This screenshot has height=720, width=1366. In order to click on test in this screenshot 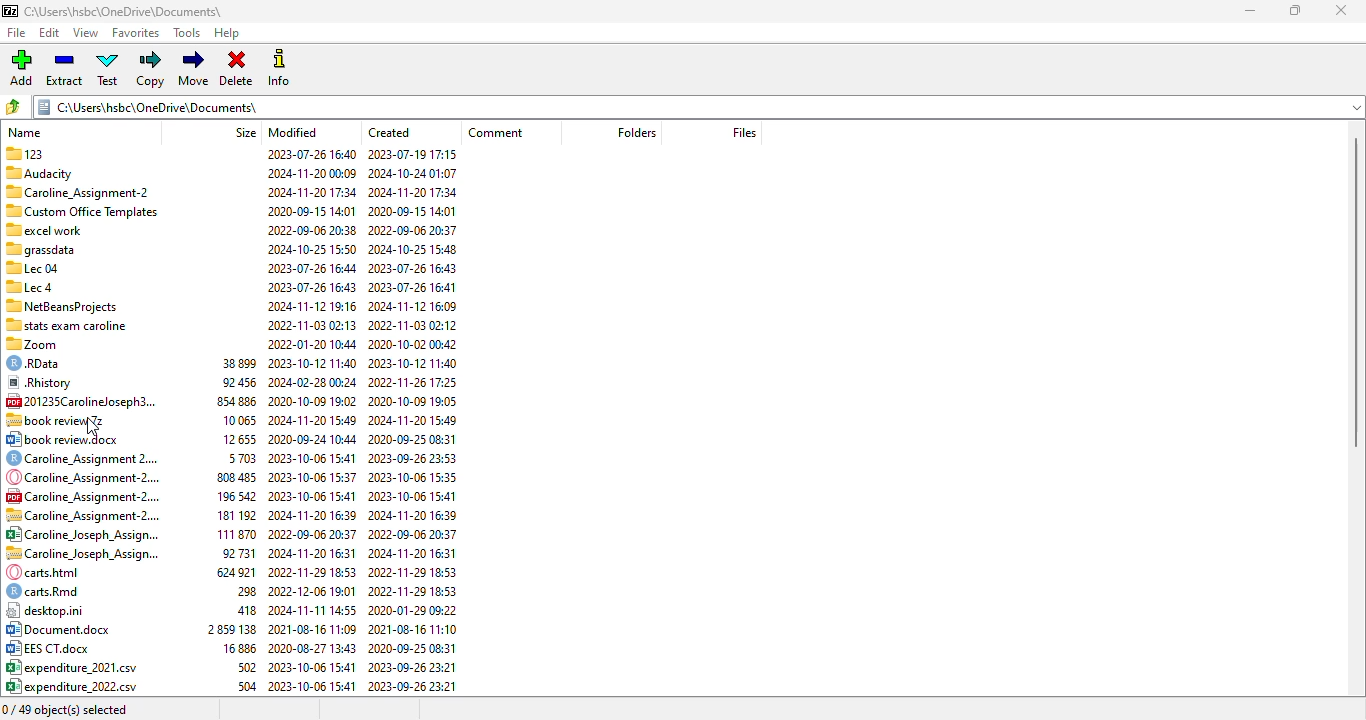, I will do `click(109, 69)`.